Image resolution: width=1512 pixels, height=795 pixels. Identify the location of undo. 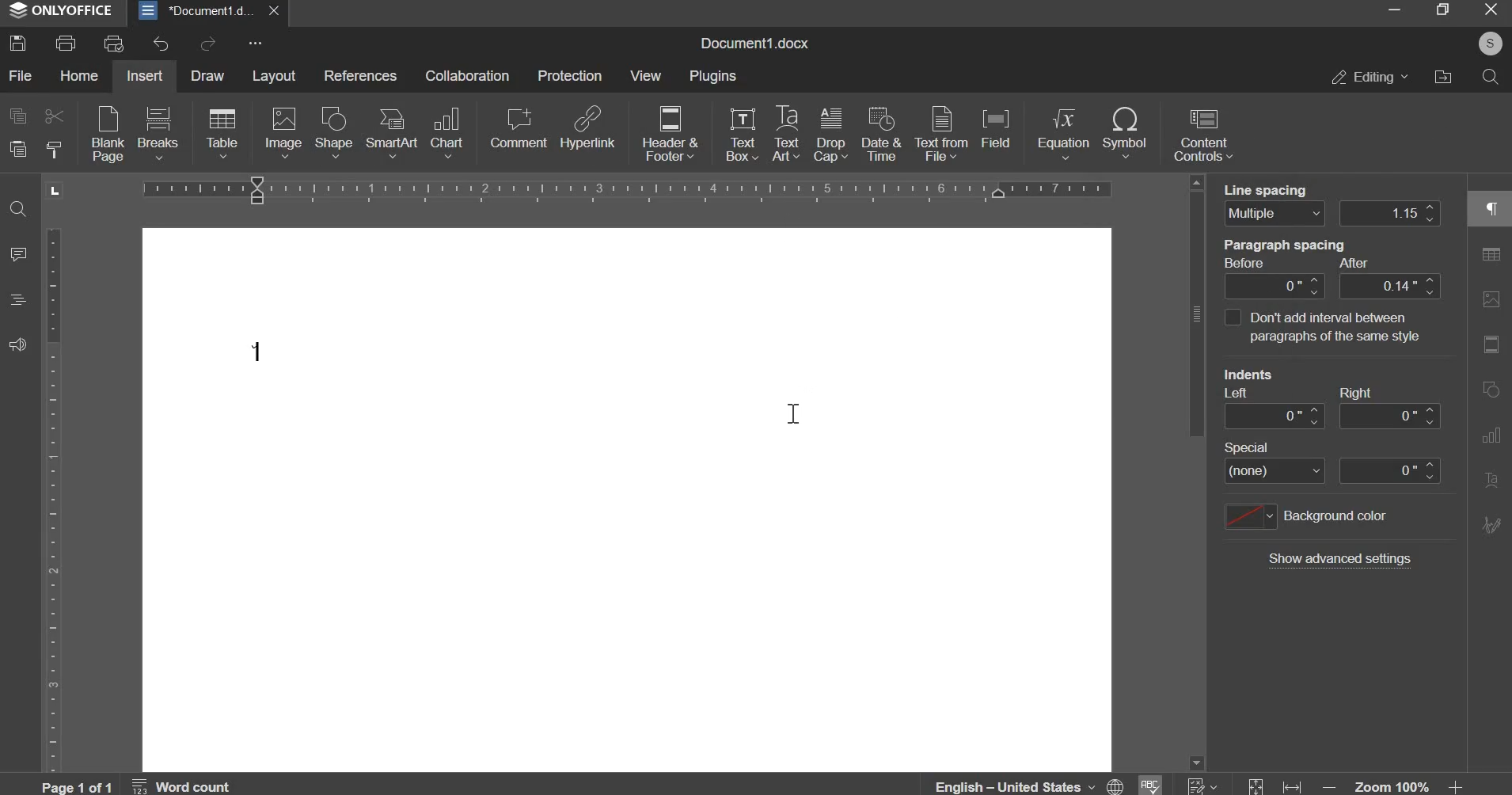
(160, 44).